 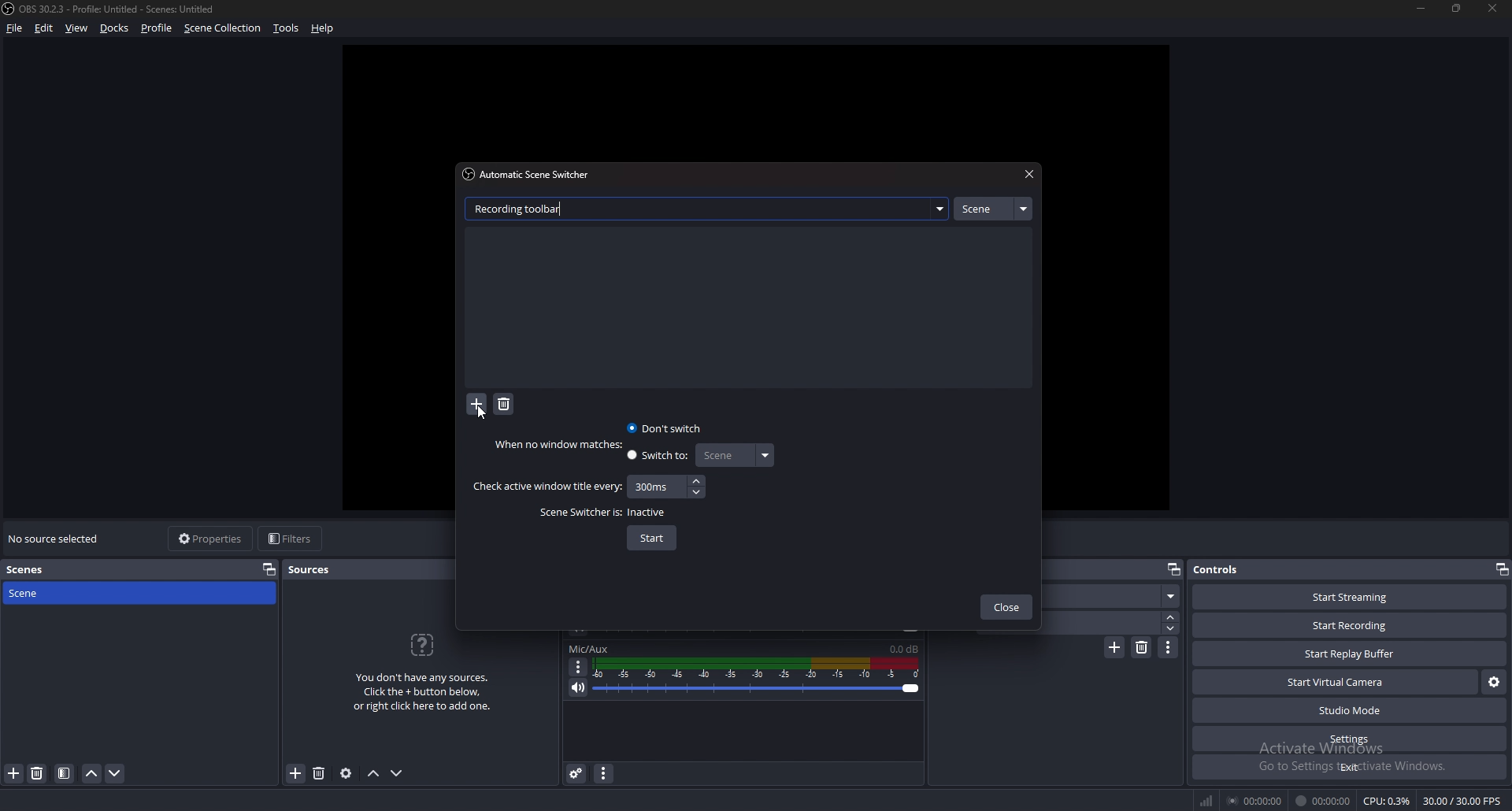 What do you see at coordinates (530, 174) in the screenshot?
I see `automatic scene switcher` at bounding box center [530, 174].